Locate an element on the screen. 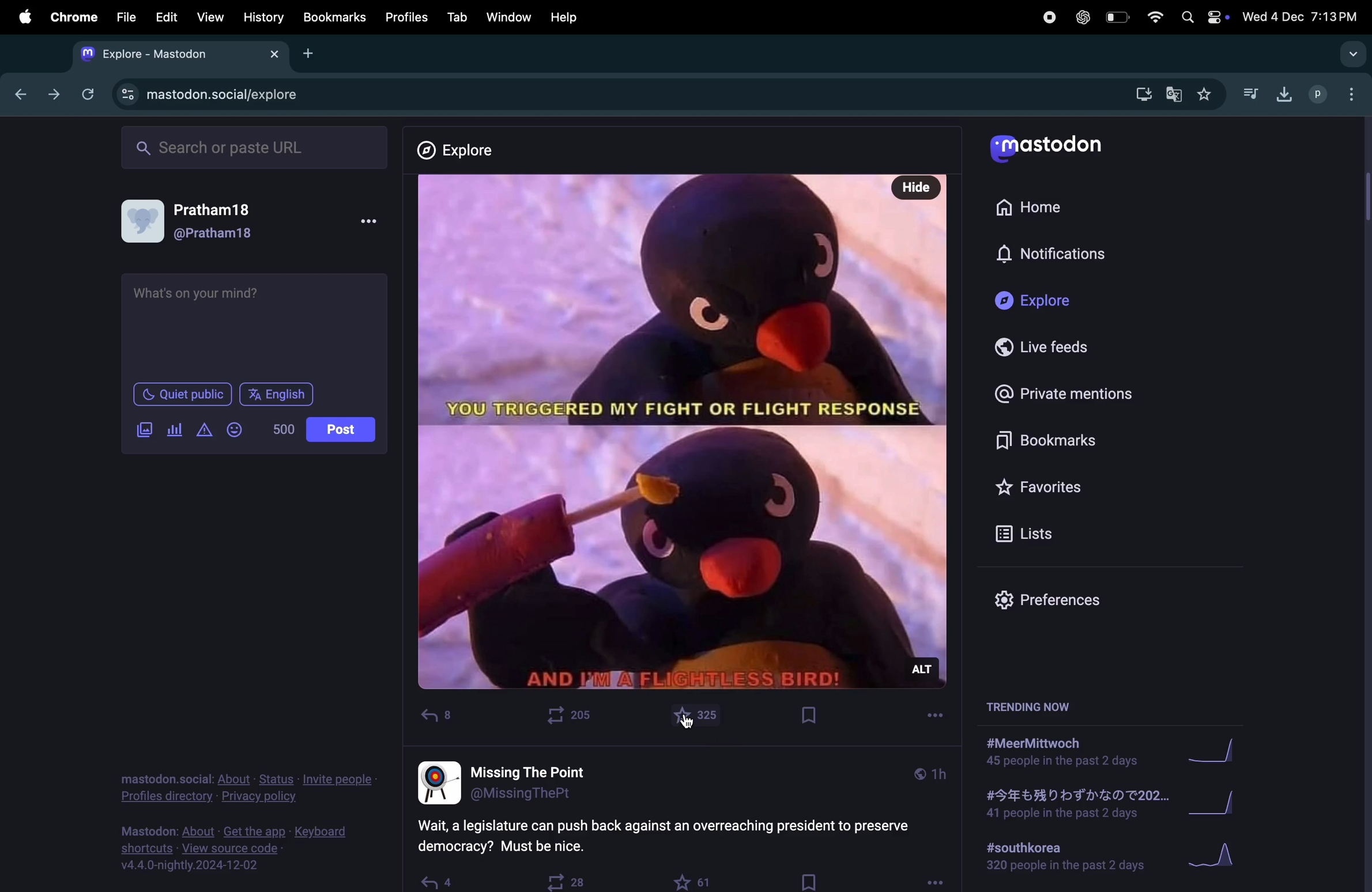 The height and width of the screenshot is (892, 1372). graph is located at coordinates (1213, 802).